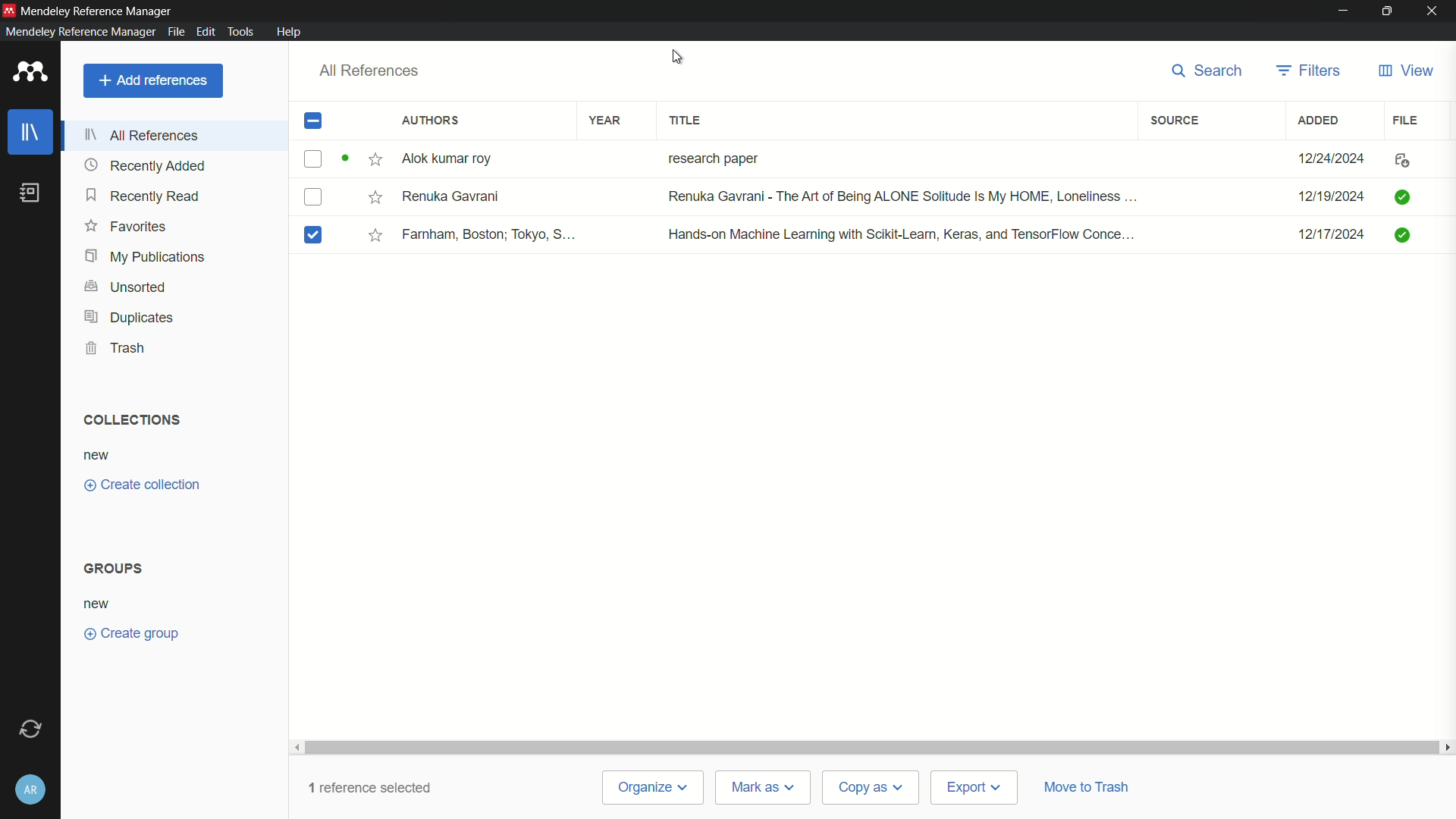  I want to click on cursor, so click(679, 58).